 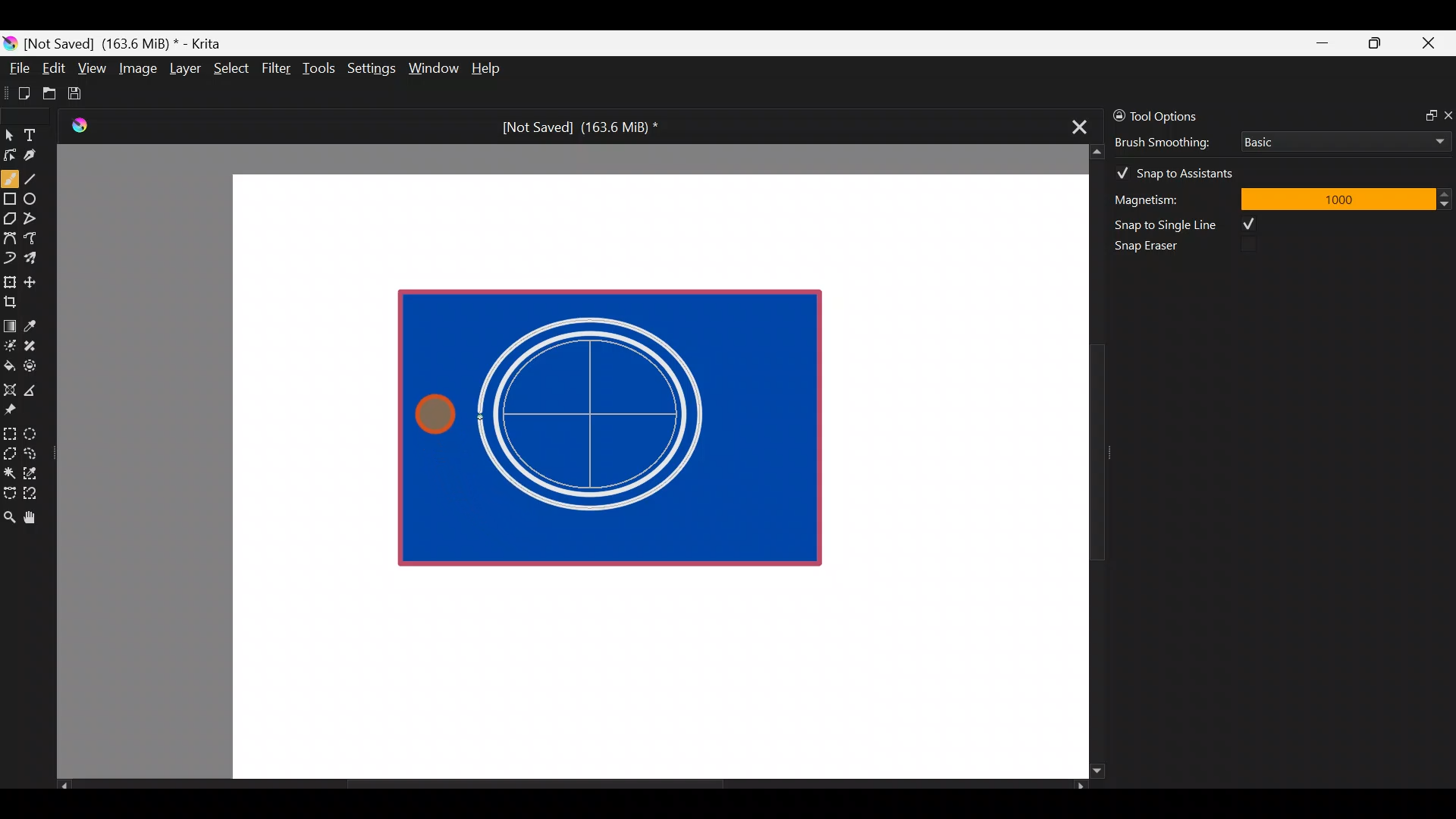 I want to click on Reference images tool, so click(x=15, y=408).